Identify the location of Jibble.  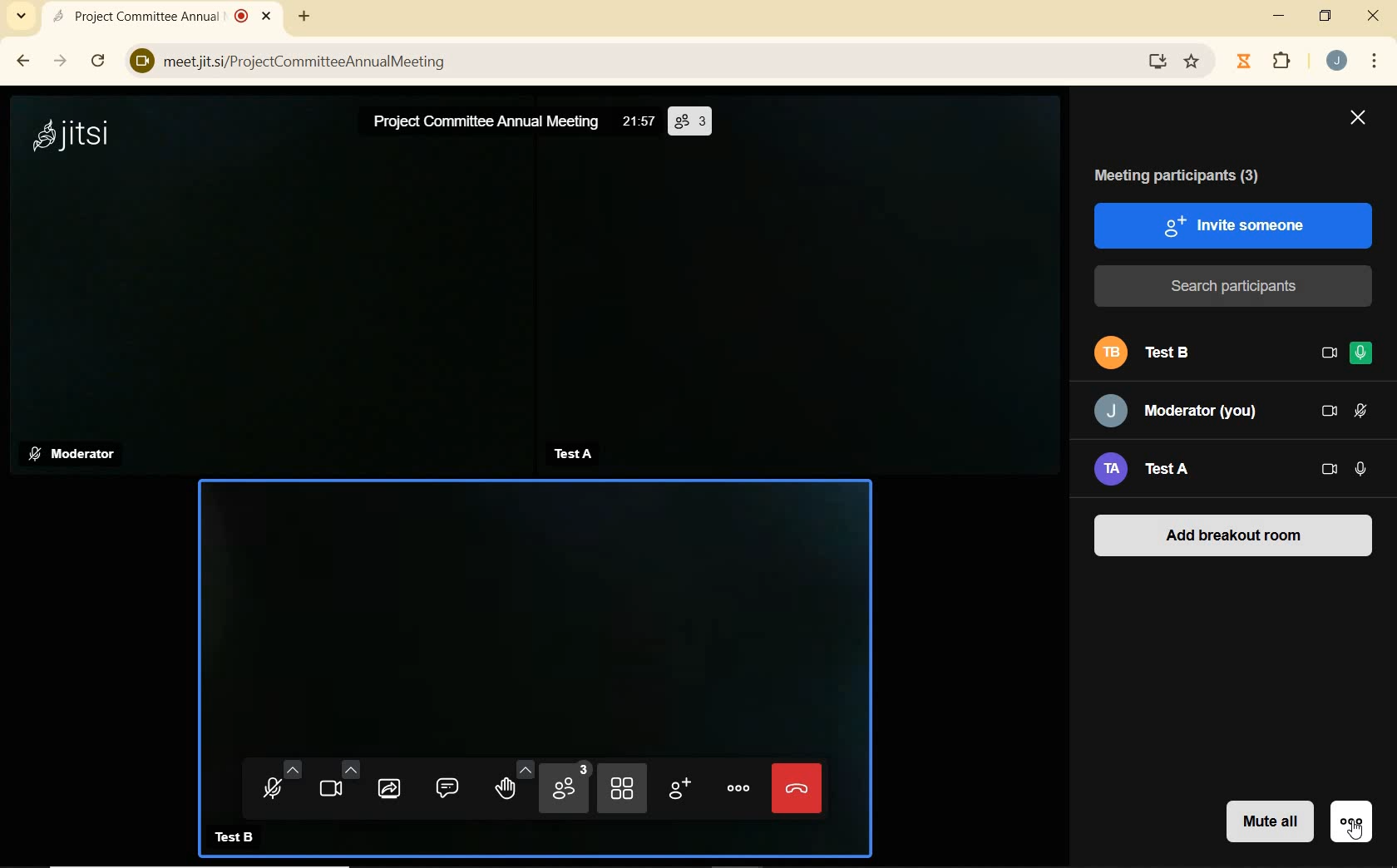
(1244, 62).